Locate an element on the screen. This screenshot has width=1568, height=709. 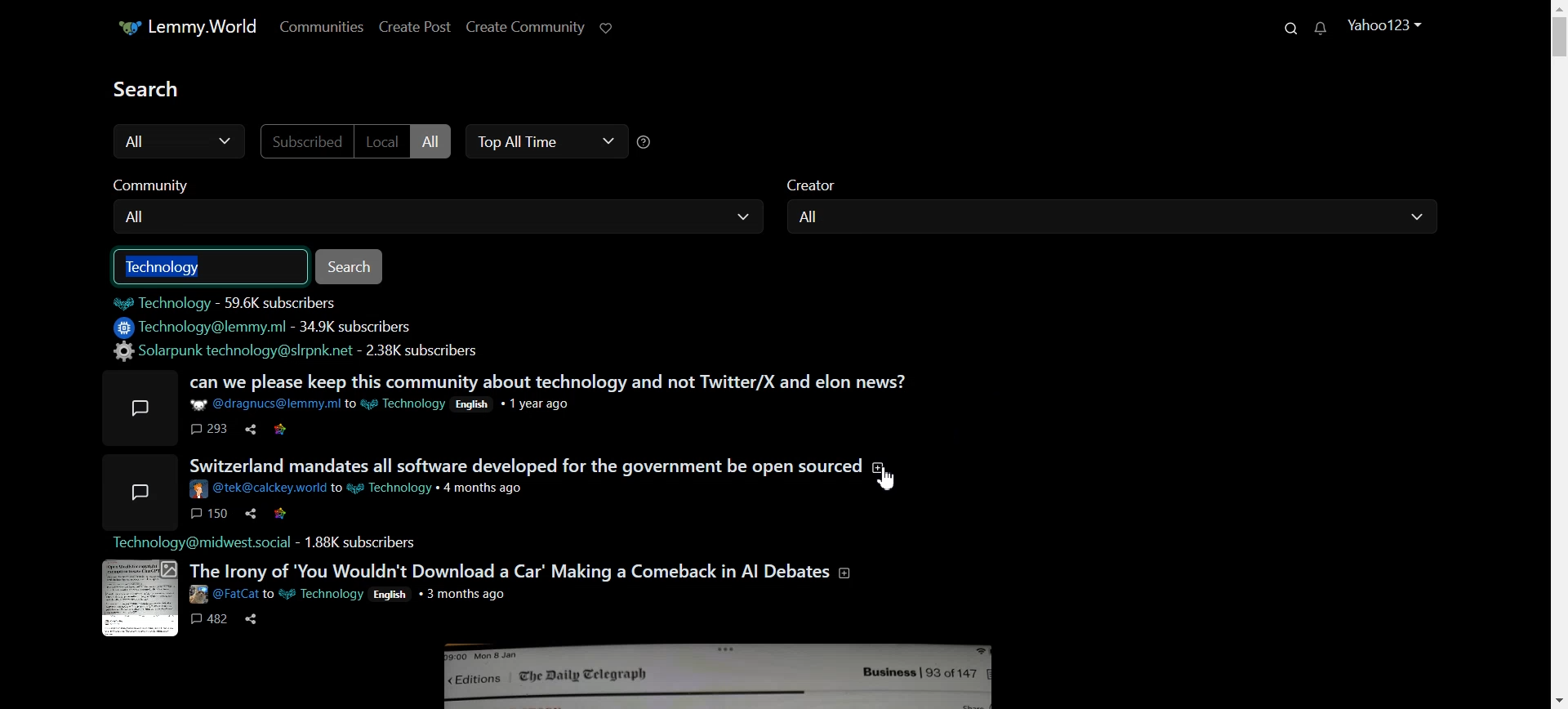
Creator is located at coordinates (826, 184).